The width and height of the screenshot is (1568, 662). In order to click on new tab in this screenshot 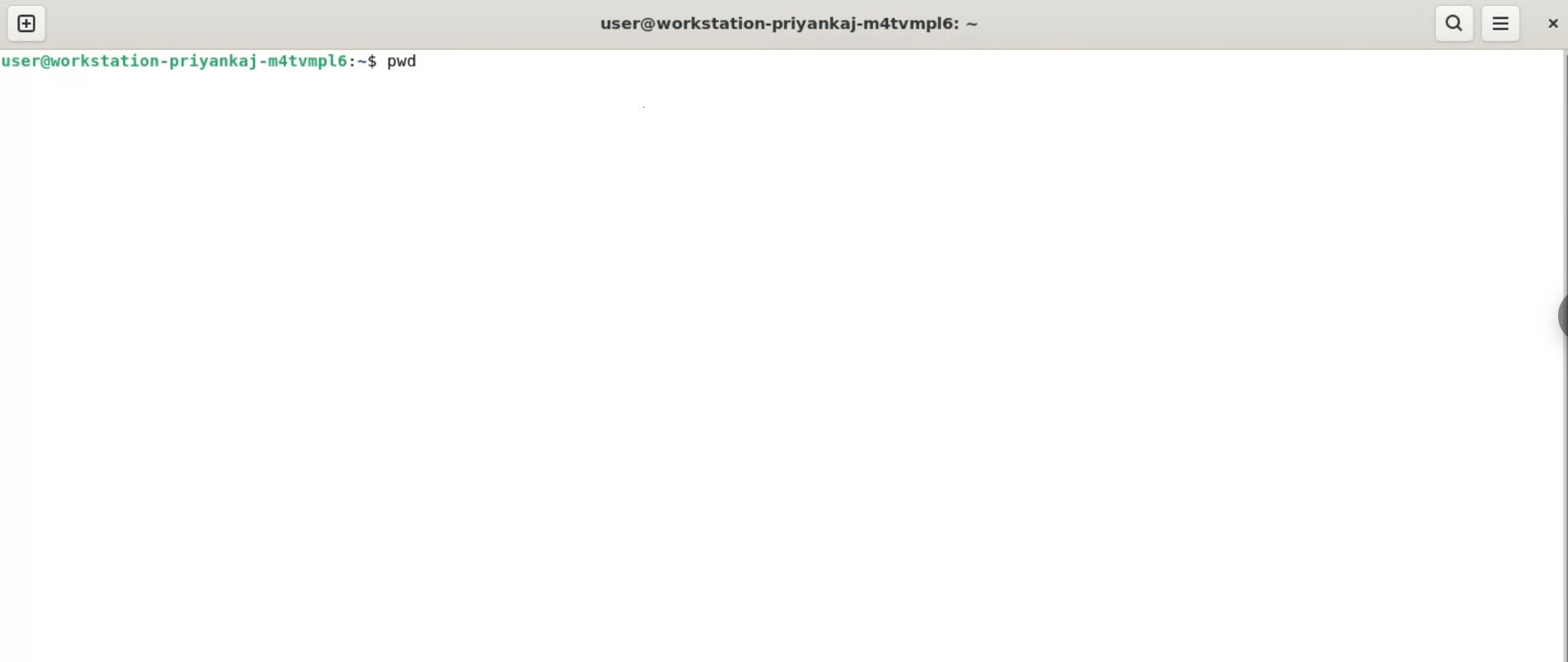, I will do `click(25, 24)`.